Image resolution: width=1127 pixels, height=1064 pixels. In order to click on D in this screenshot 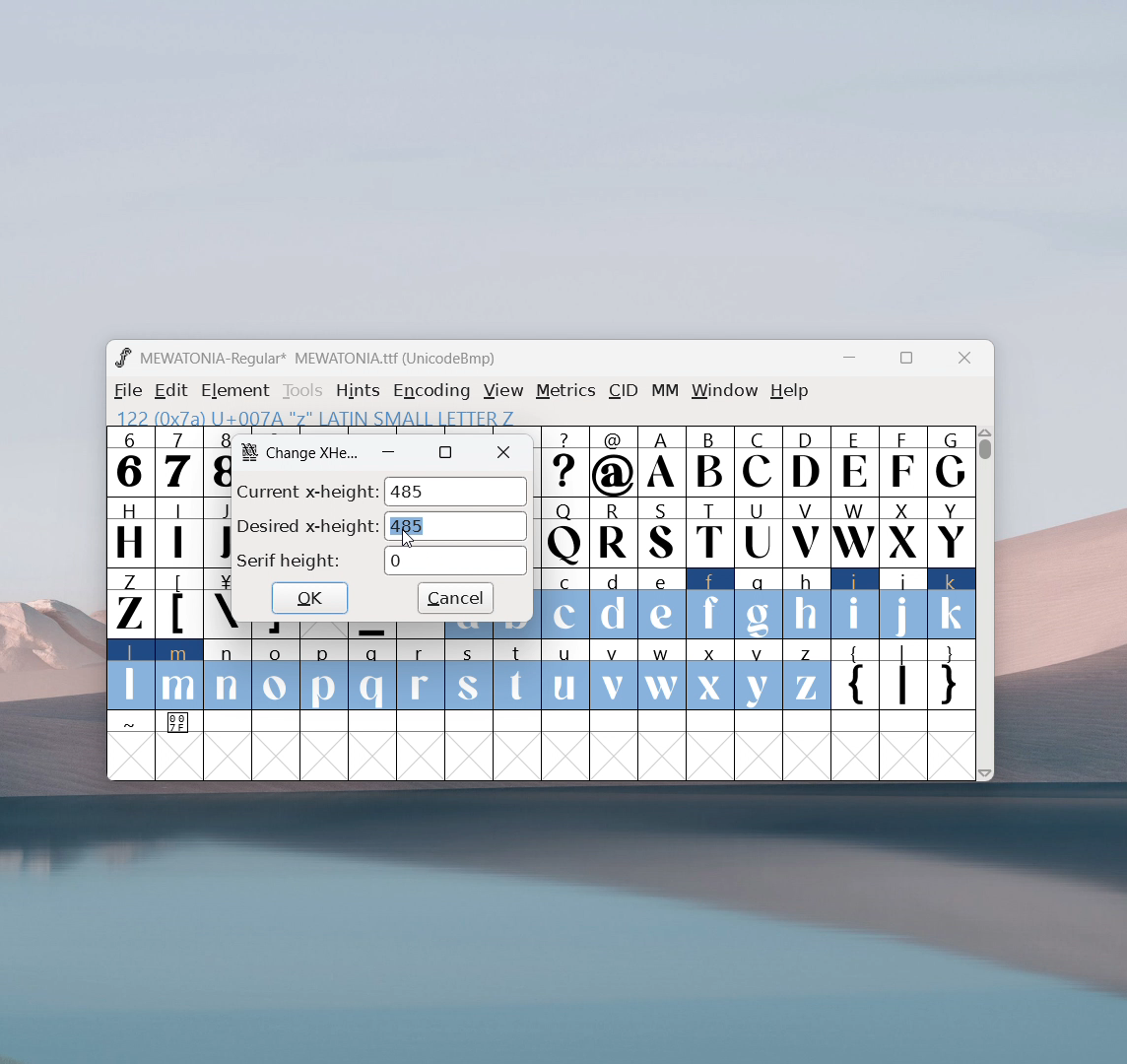, I will do `click(805, 460)`.